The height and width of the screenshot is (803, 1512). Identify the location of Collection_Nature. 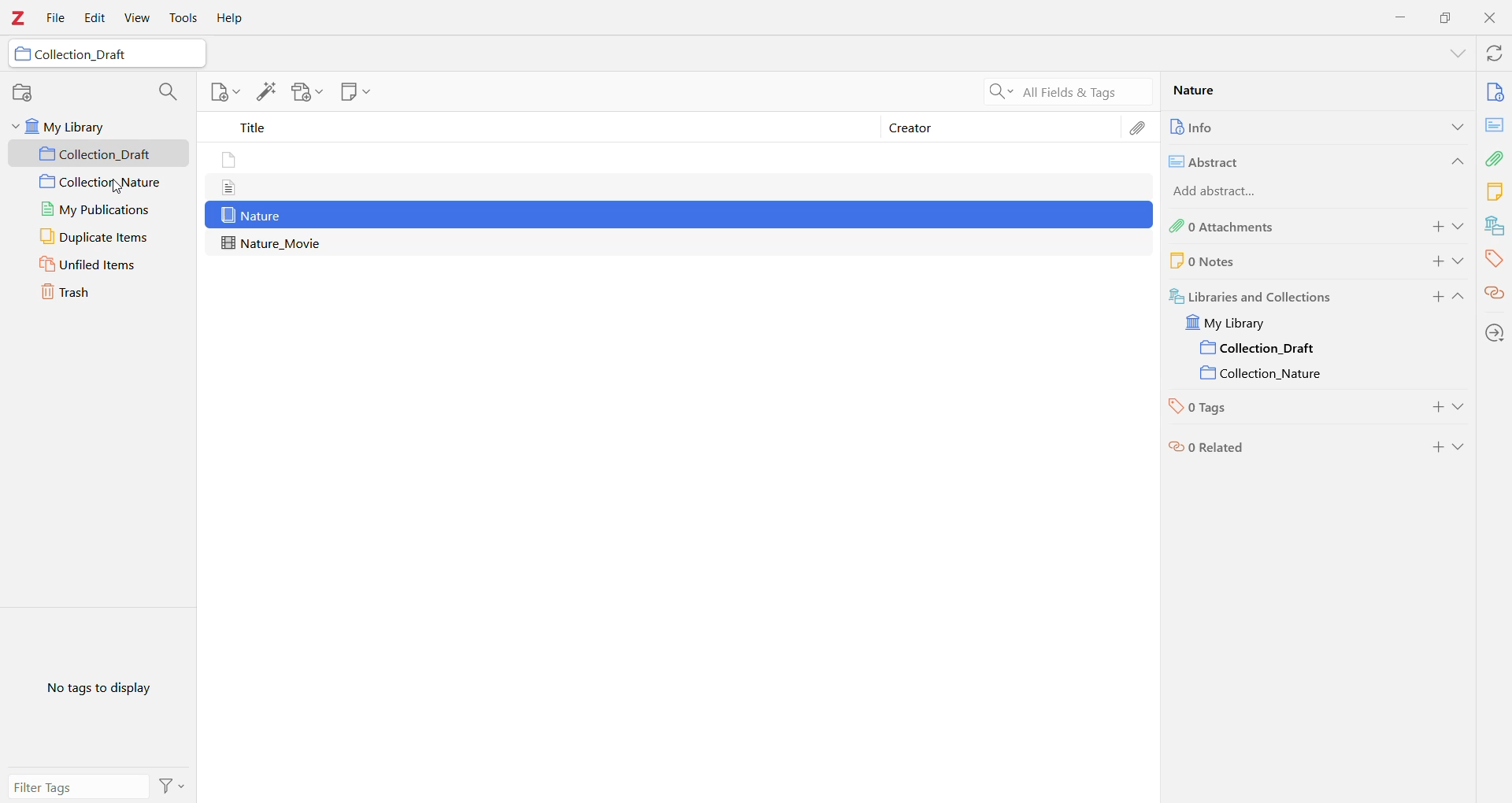
(99, 183).